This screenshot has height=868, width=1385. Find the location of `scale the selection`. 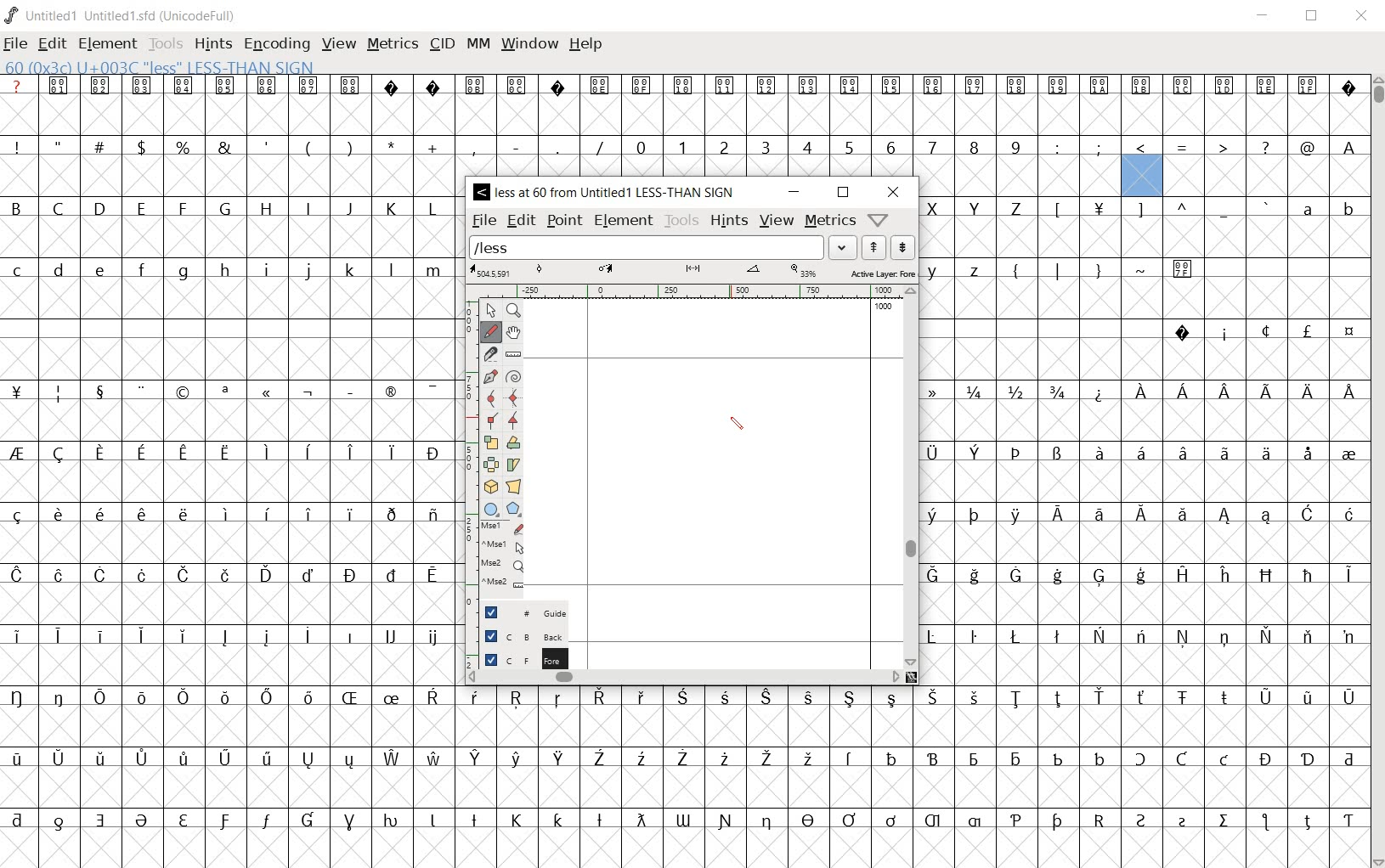

scale the selection is located at coordinates (490, 441).